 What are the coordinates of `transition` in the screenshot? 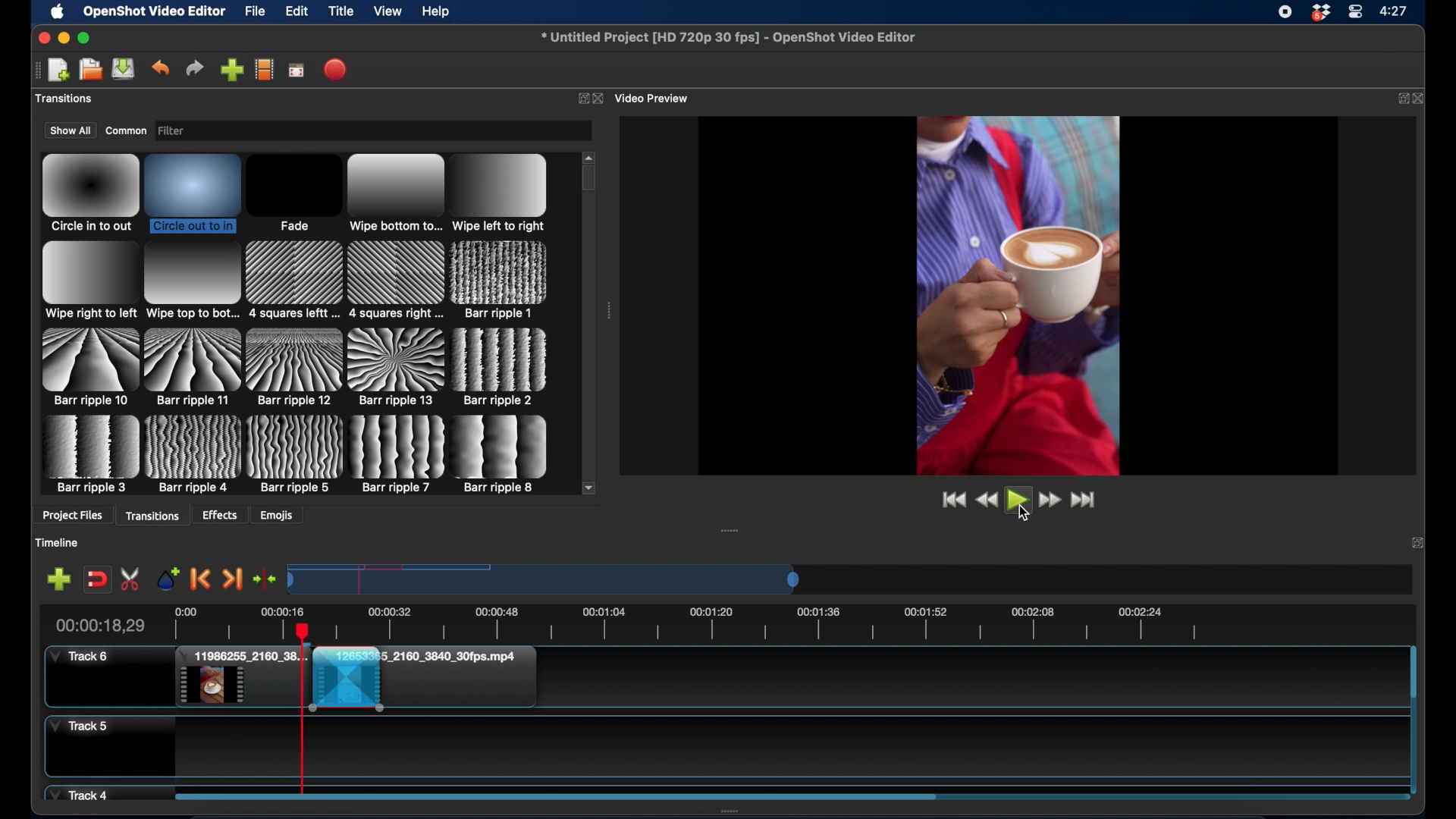 It's located at (89, 281).